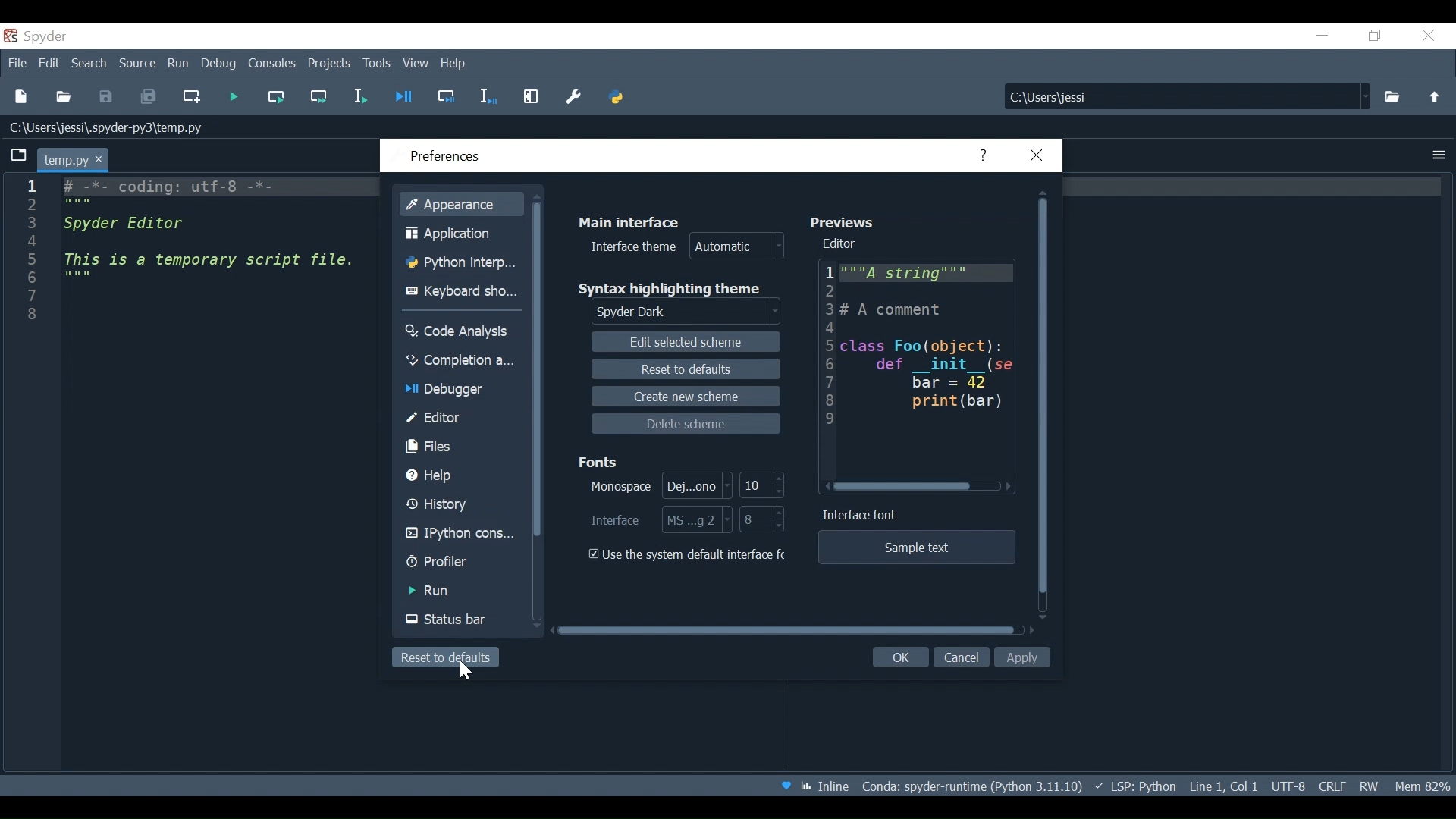 The width and height of the screenshot is (1456, 819). I want to click on Help, so click(452, 63).